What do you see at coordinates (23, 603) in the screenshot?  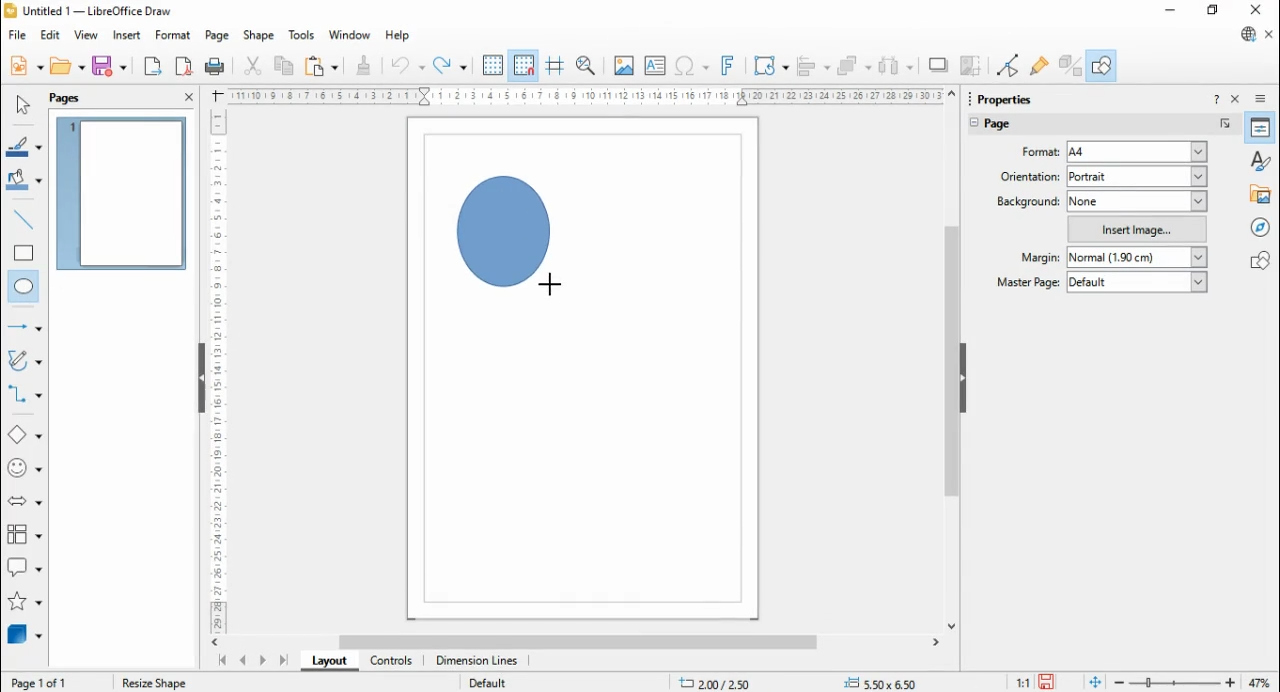 I see `stars and banners ` at bounding box center [23, 603].